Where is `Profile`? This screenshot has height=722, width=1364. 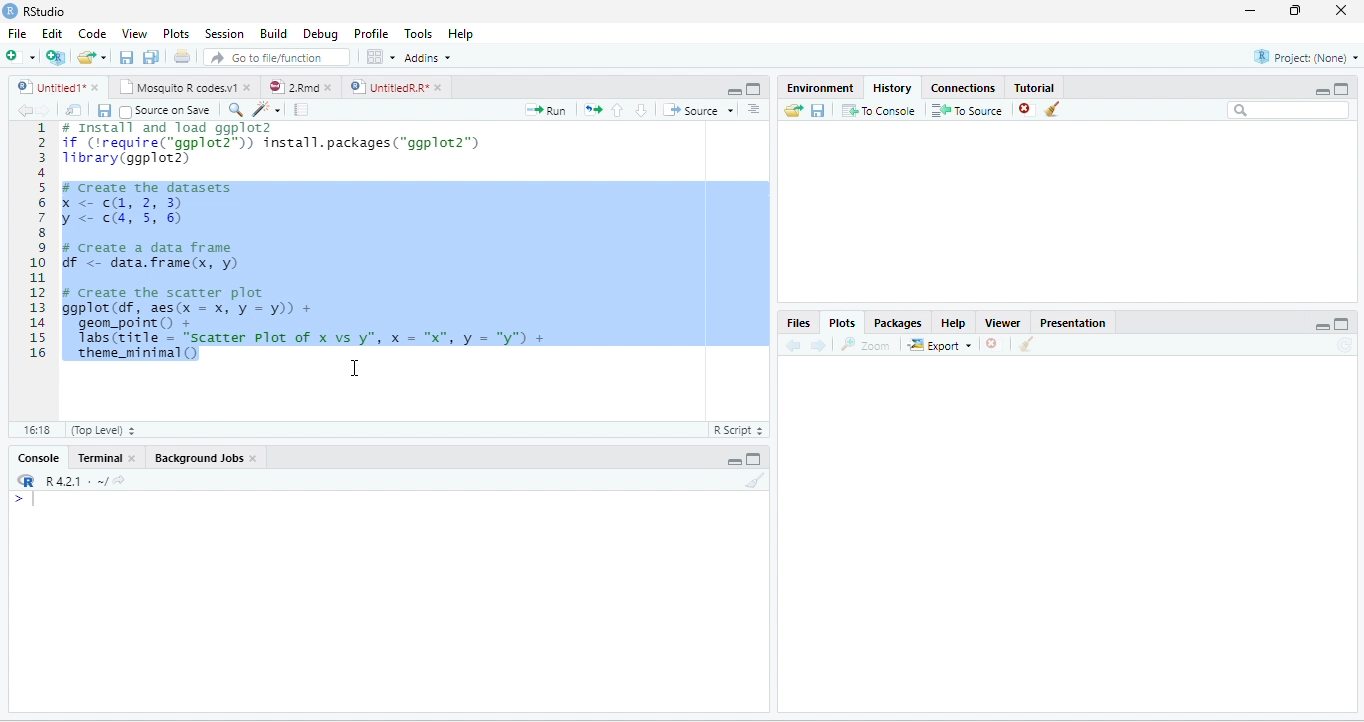
Profile is located at coordinates (371, 33).